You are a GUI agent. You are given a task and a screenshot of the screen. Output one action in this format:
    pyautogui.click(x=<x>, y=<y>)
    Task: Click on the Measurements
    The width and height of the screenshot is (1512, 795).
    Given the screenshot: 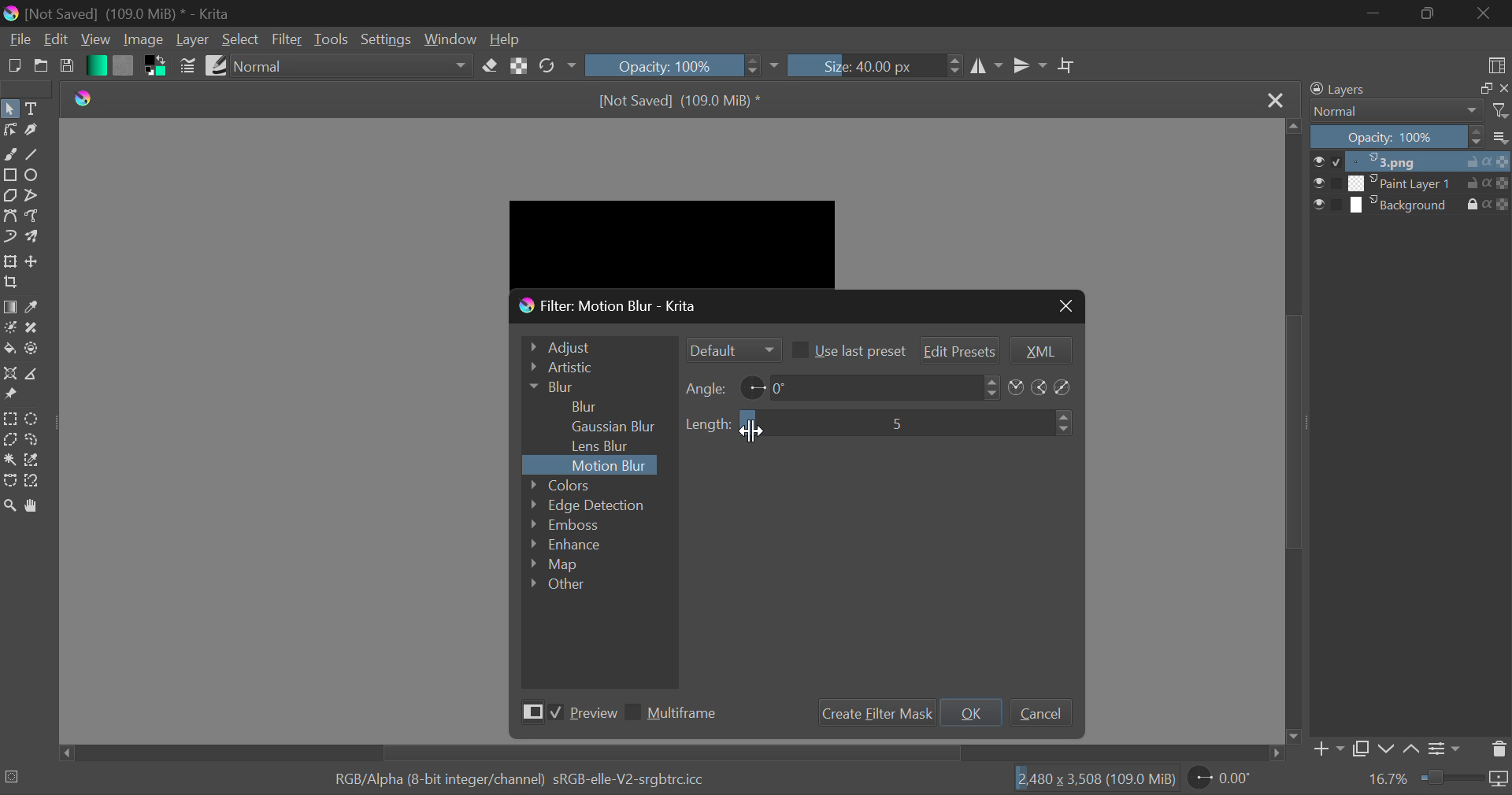 What is the action you would take?
    pyautogui.click(x=36, y=374)
    